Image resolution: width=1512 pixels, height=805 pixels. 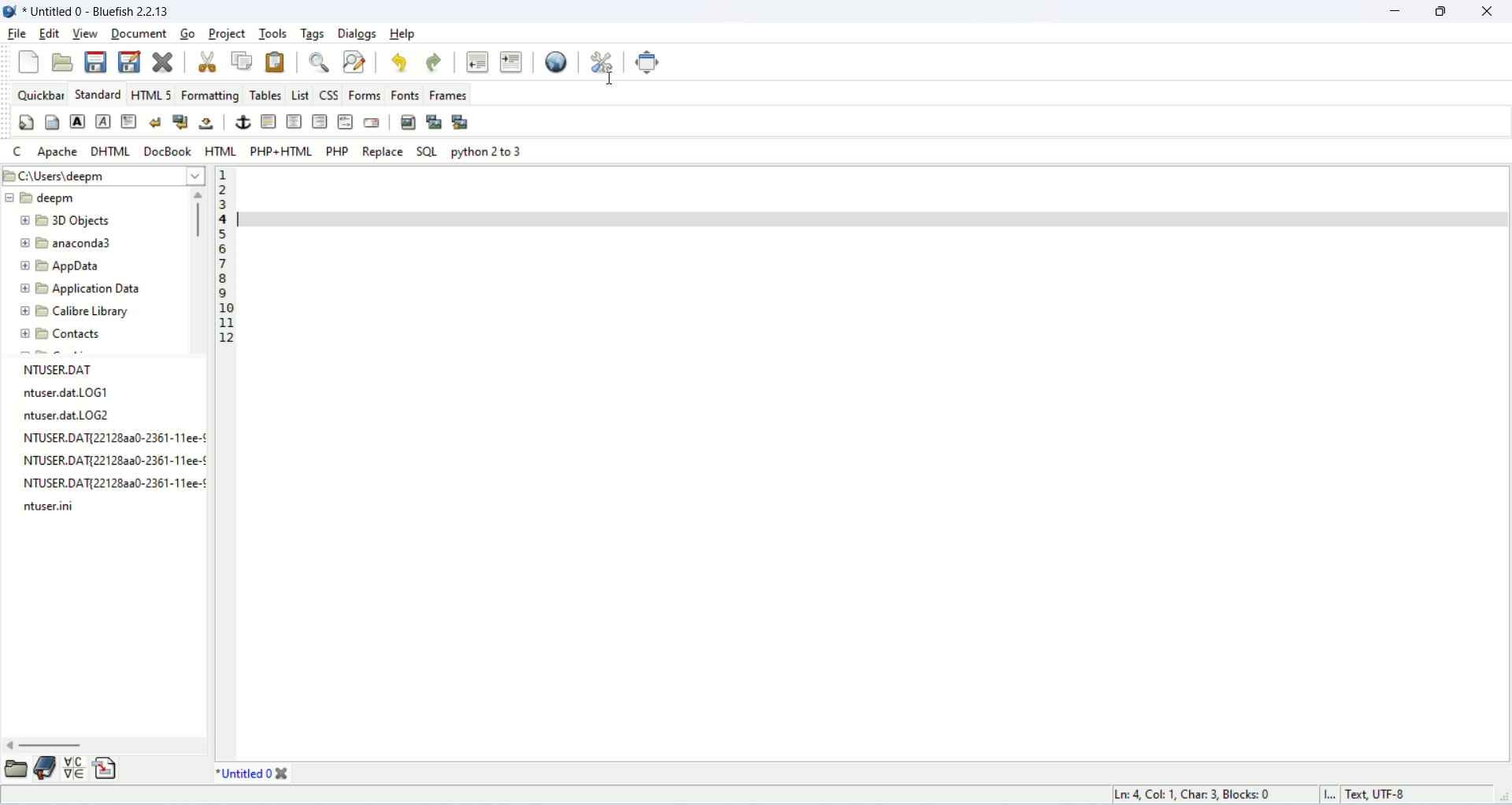 I want to click on close current file, so click(x=163, y=61).